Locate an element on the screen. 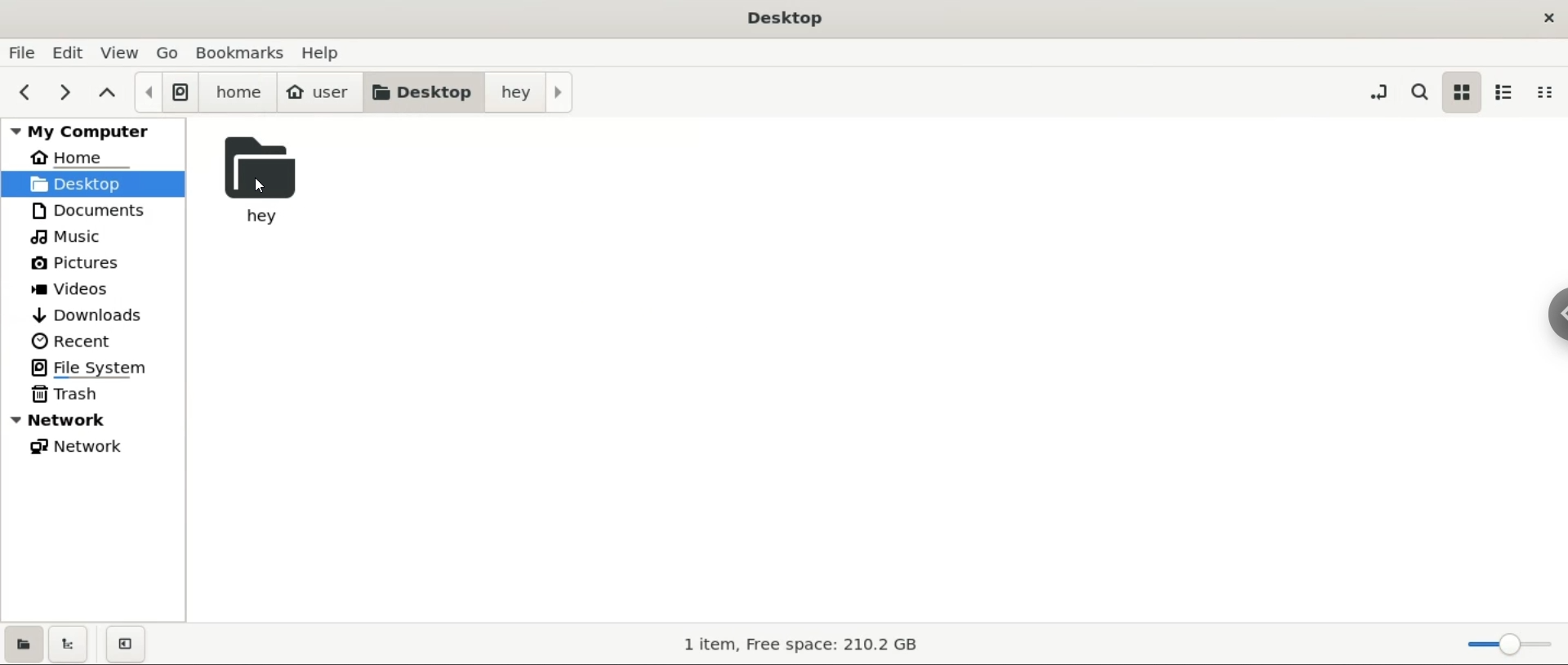  icon view is located at coordinates (1463, 91).